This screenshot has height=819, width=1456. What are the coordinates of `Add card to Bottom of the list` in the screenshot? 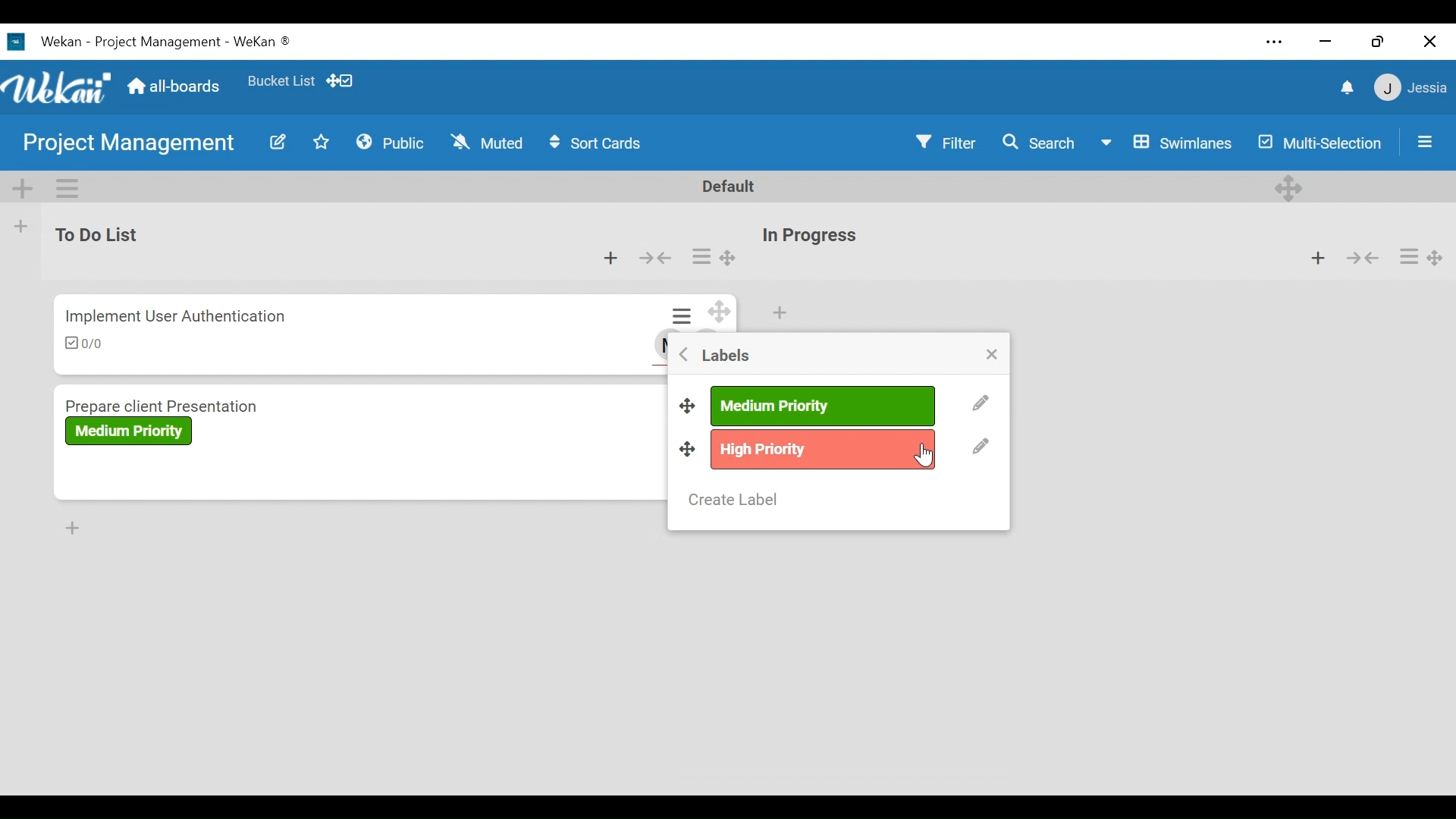 It's located at (71, 528).